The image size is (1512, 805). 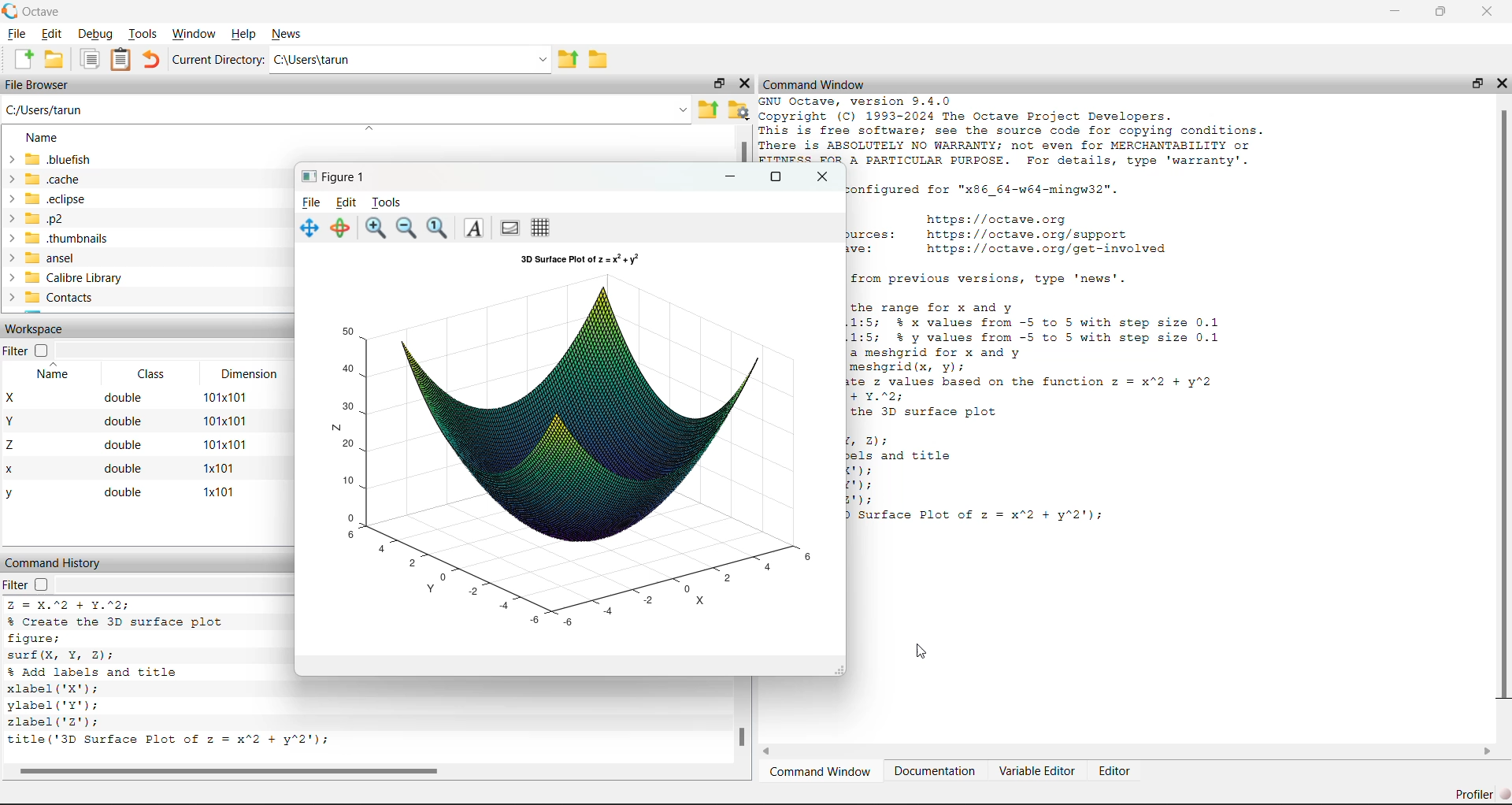 I want to click on Current Directory:, so click(x=219, y=59).